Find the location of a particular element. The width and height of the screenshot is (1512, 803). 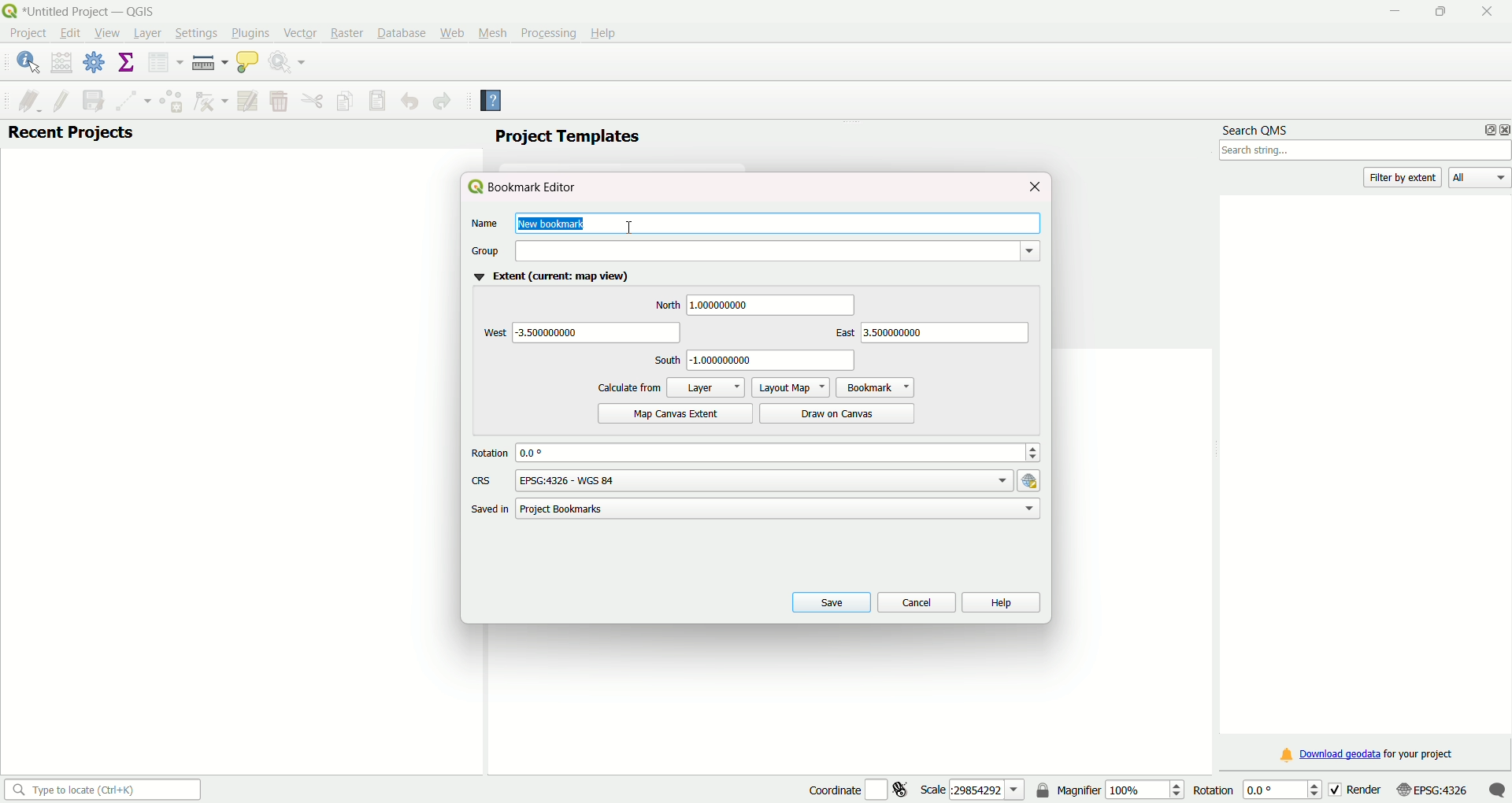

paste feature is located at coordinates (378, 101).